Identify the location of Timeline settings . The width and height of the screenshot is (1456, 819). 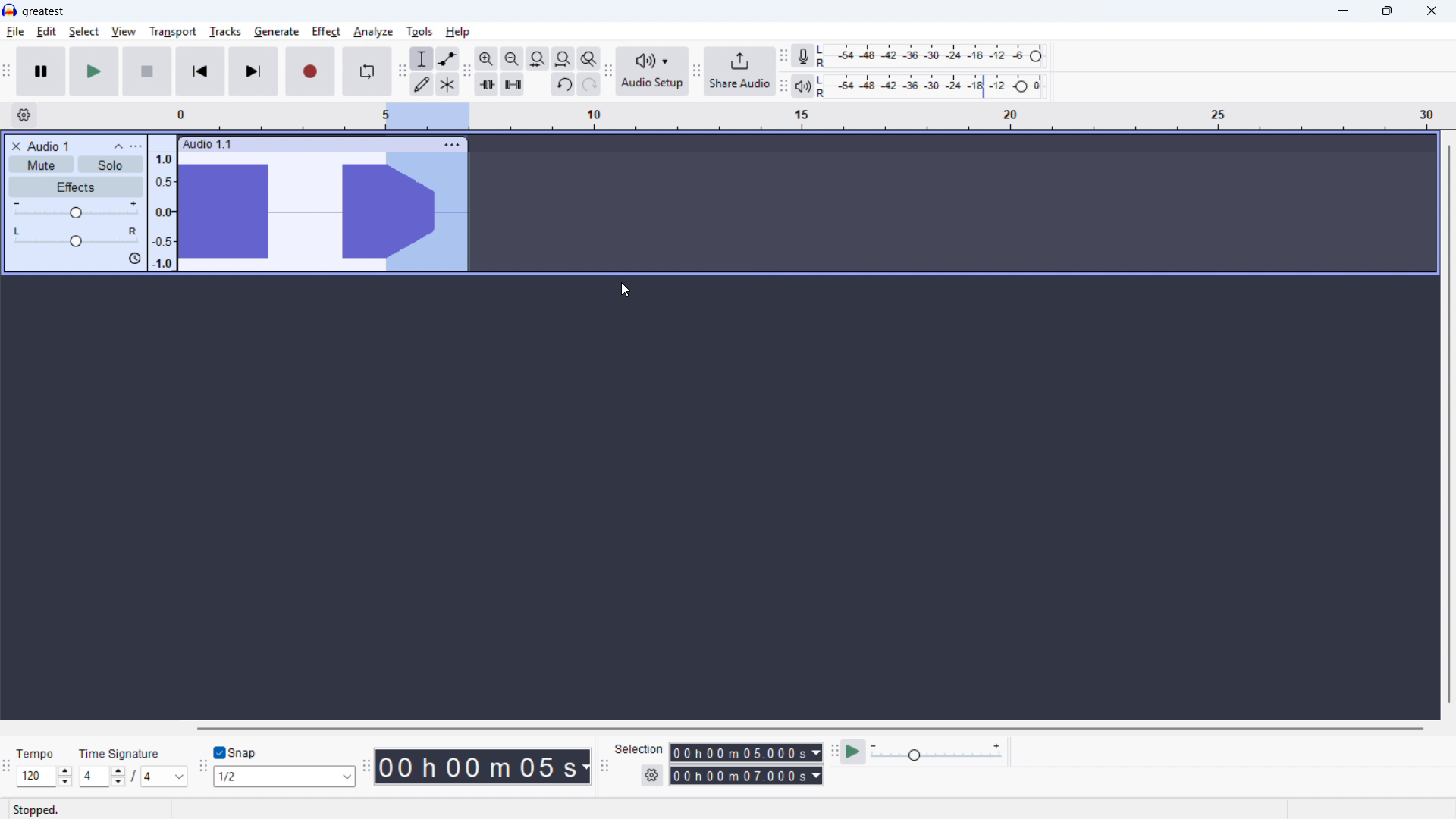
(24, 115).